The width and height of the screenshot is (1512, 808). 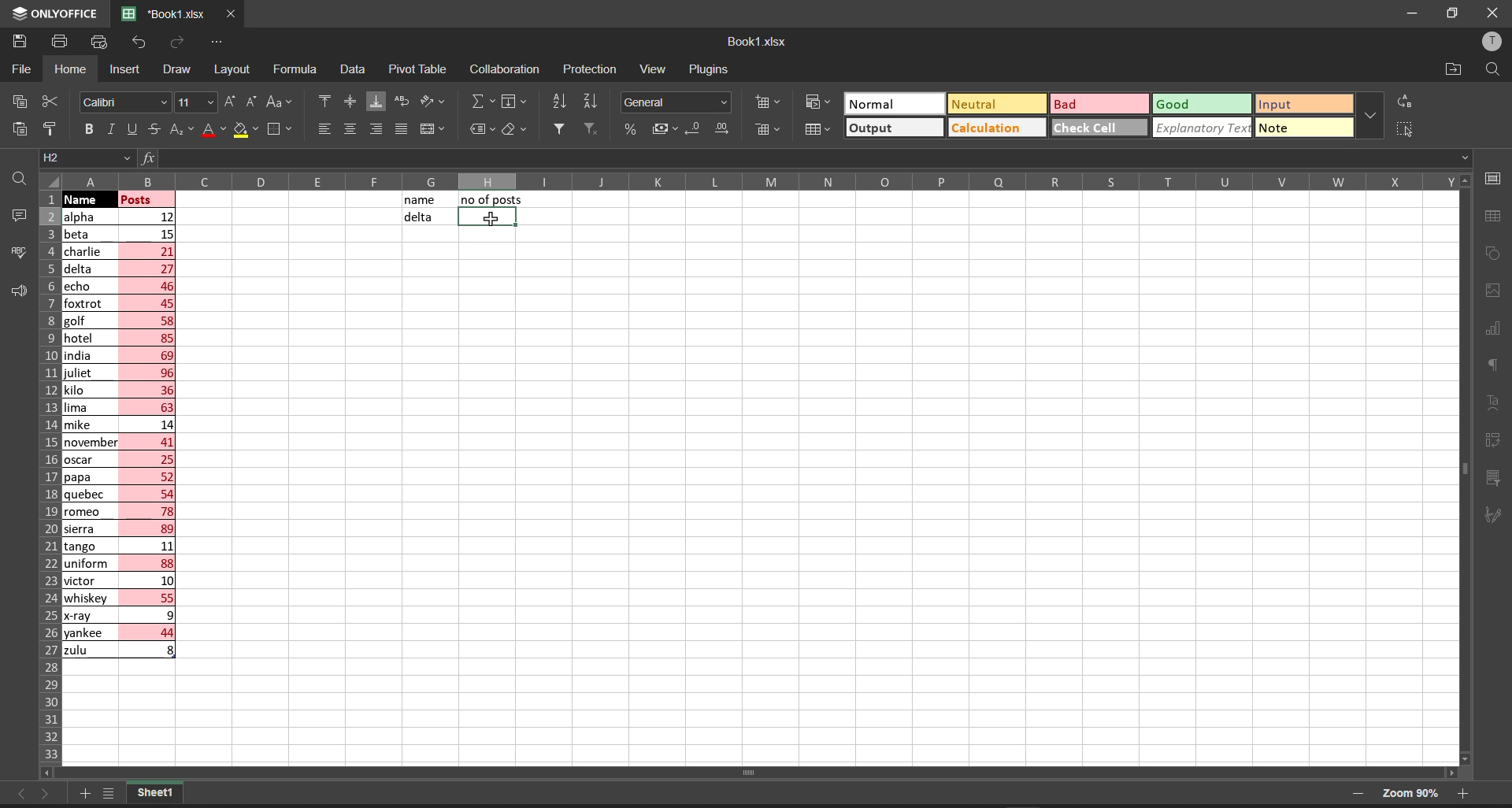 I want to click on Normal, so click(x=881, y=103).